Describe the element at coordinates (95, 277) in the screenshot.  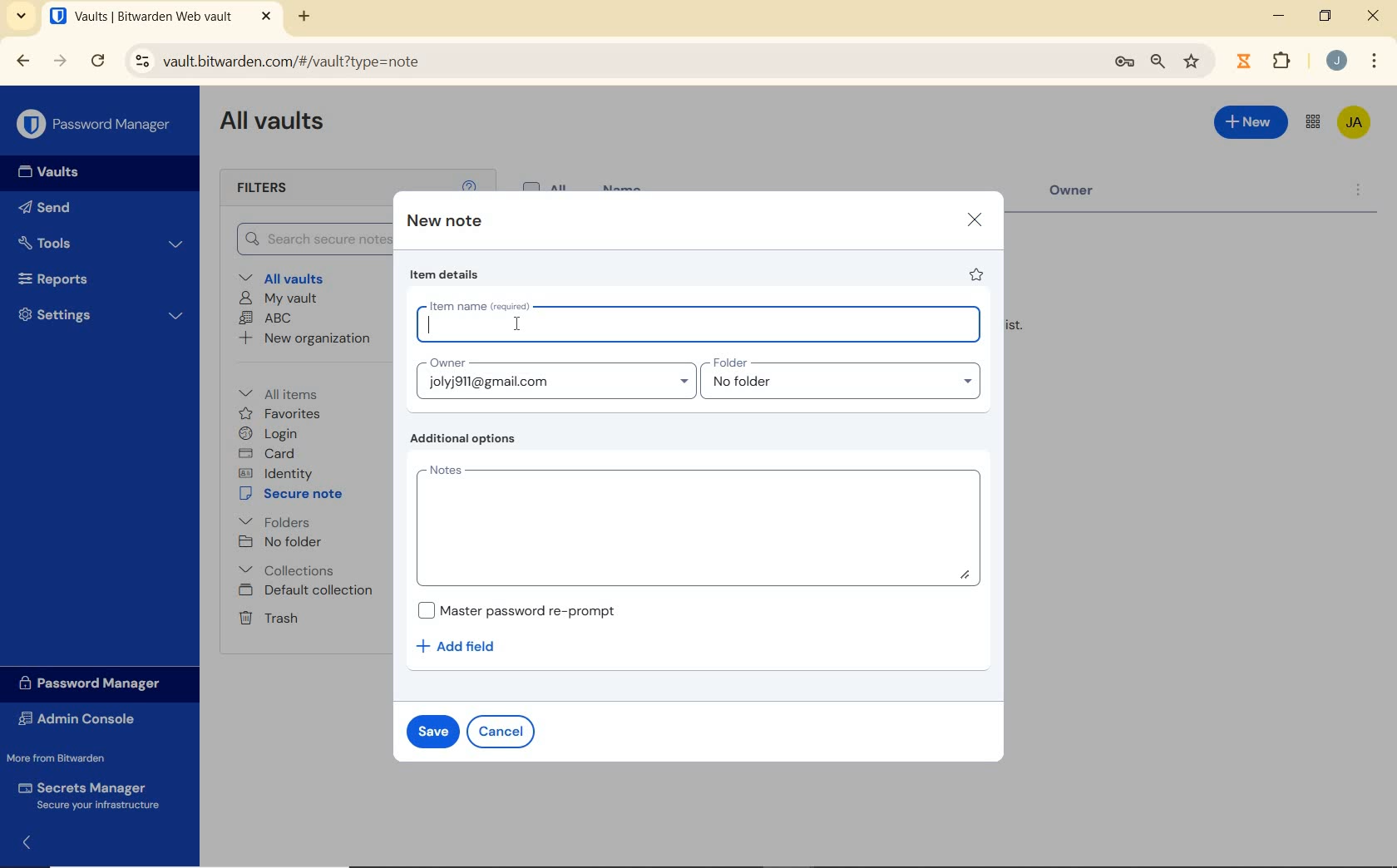
I see `Reports` at that location.